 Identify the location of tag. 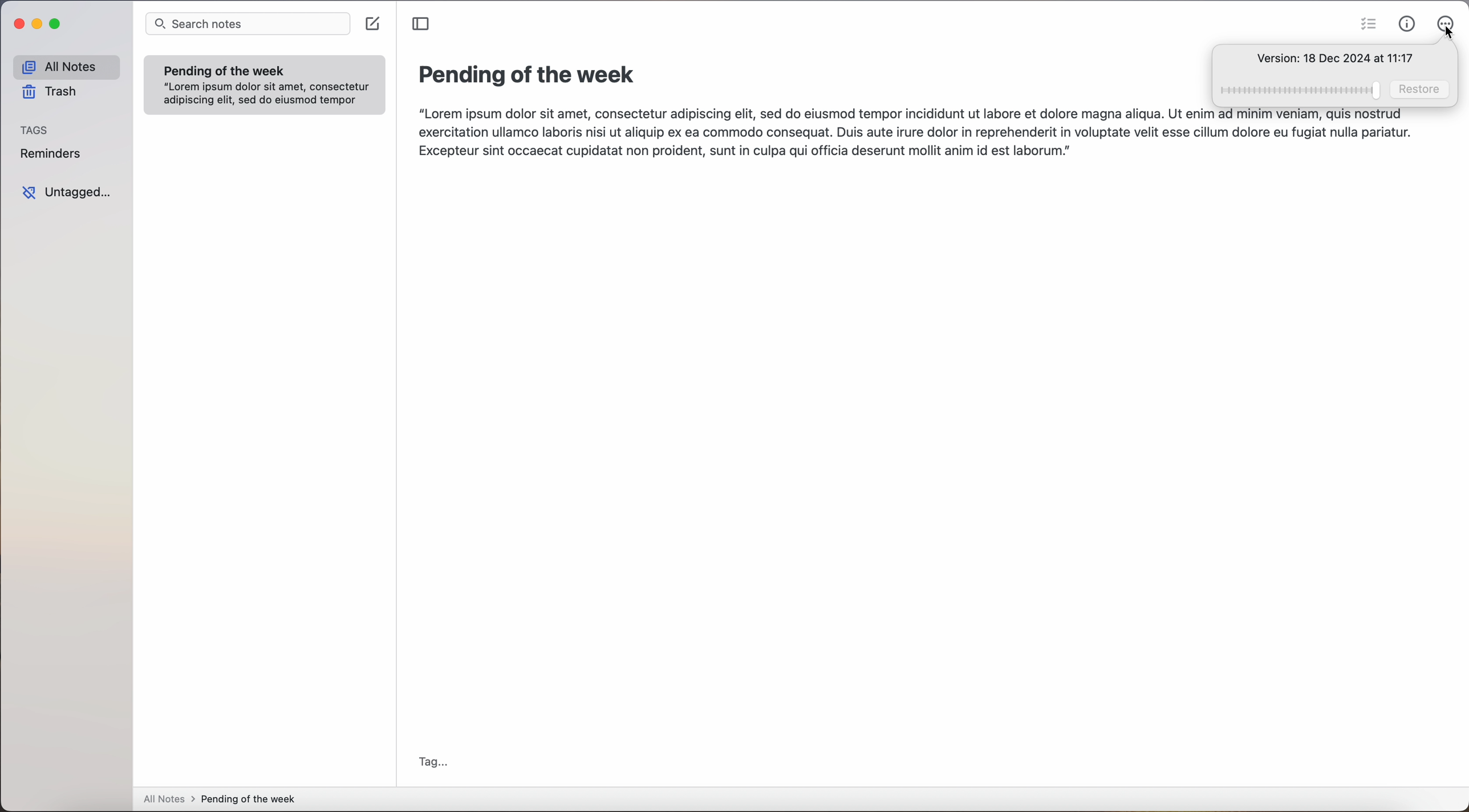
(435, 763).